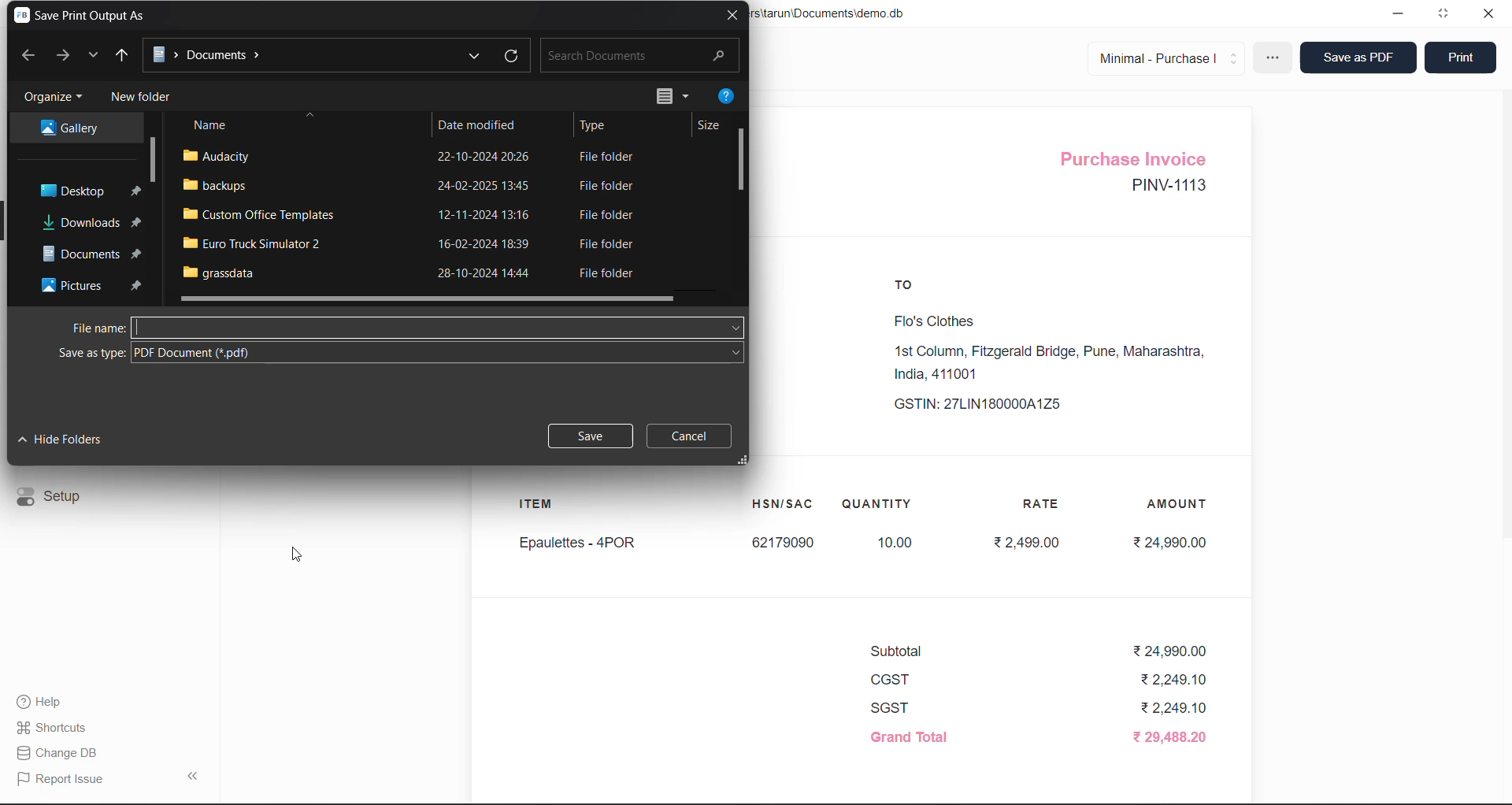  What do you see at coordinates (1460, 54) in the screenshot?
I see `Print` at bounding box center [1460, 54].